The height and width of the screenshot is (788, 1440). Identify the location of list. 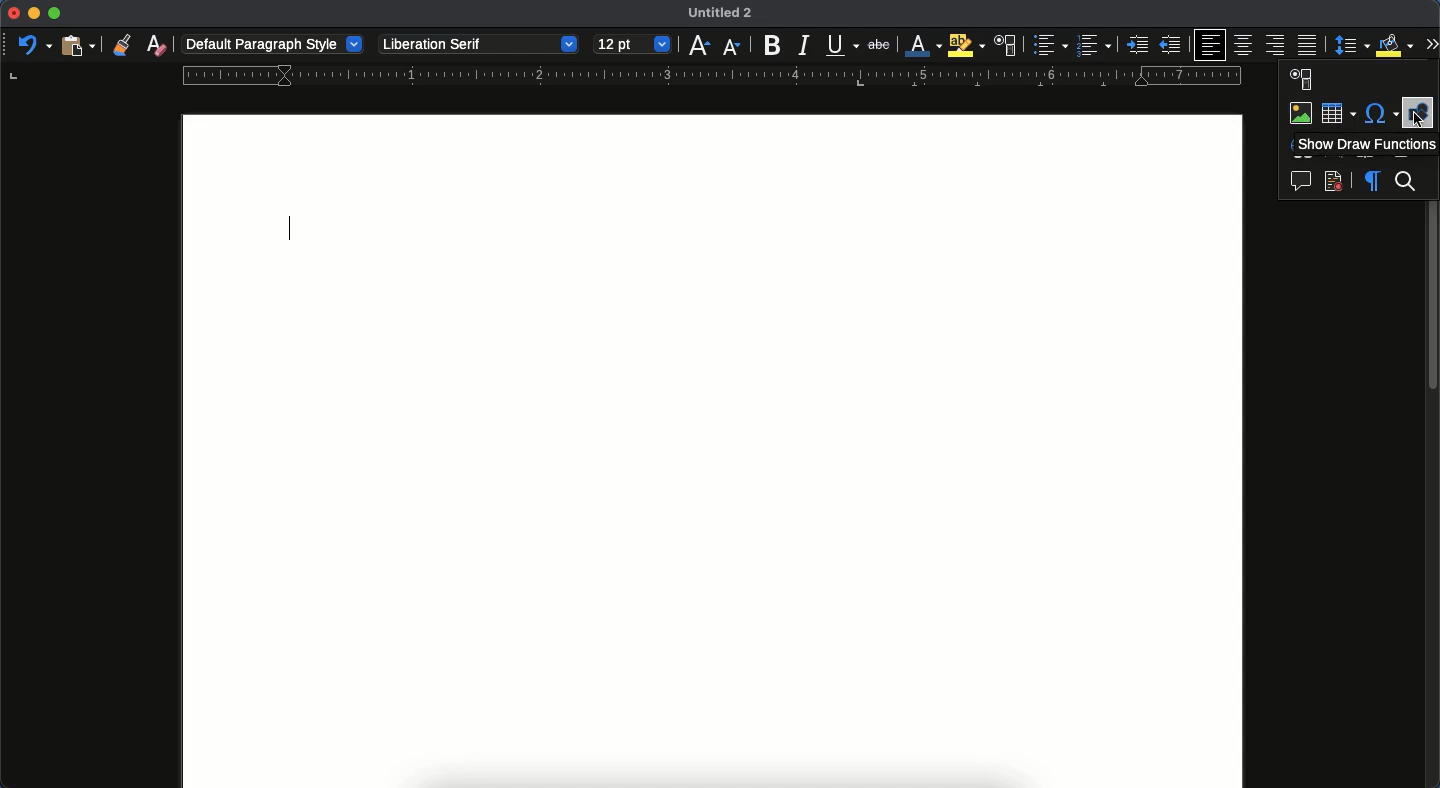
(1048, 45).